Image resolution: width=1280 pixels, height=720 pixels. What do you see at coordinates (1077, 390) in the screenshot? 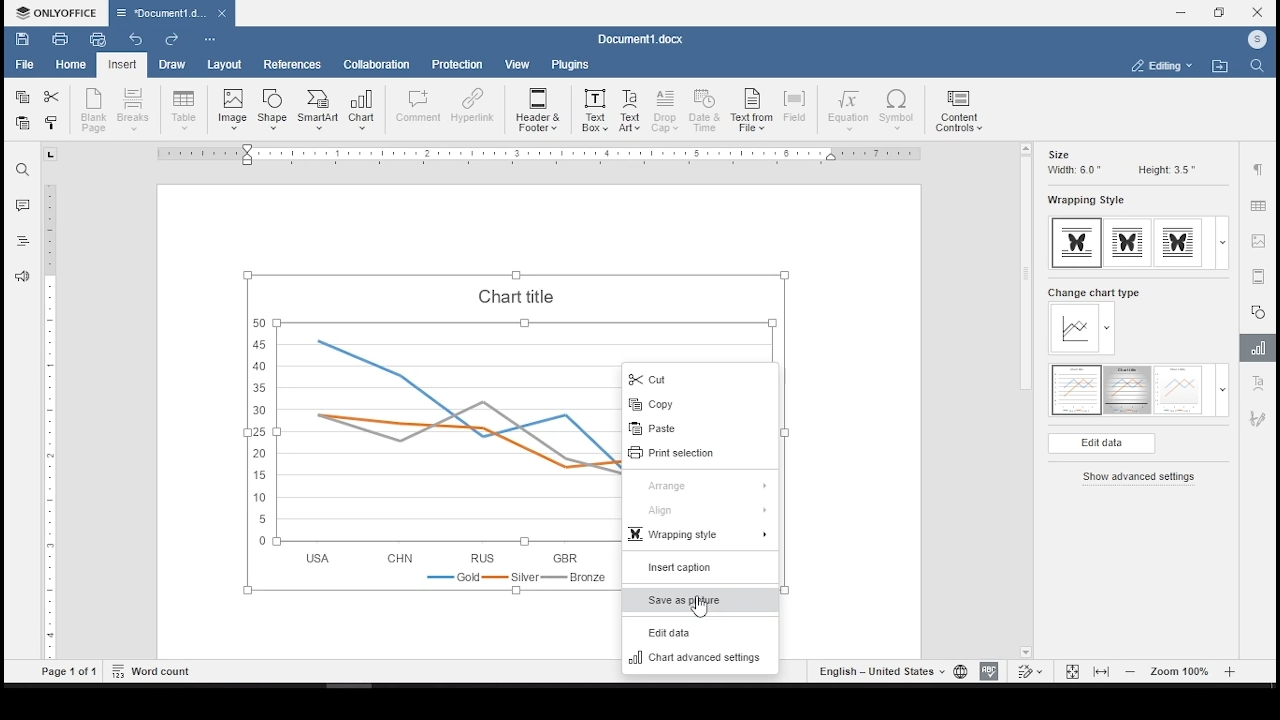
I see `chart style 1` at bounding box center [1077, 390].